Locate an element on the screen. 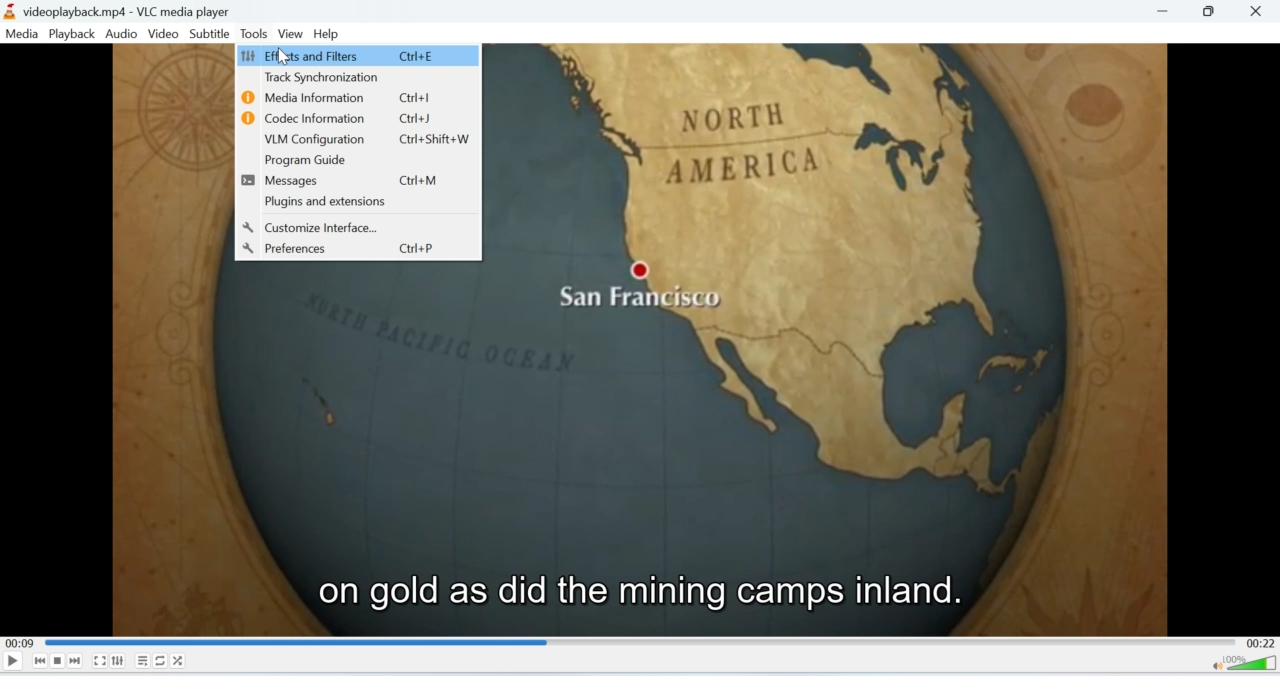  Stop is located at coordinates (58, 662).